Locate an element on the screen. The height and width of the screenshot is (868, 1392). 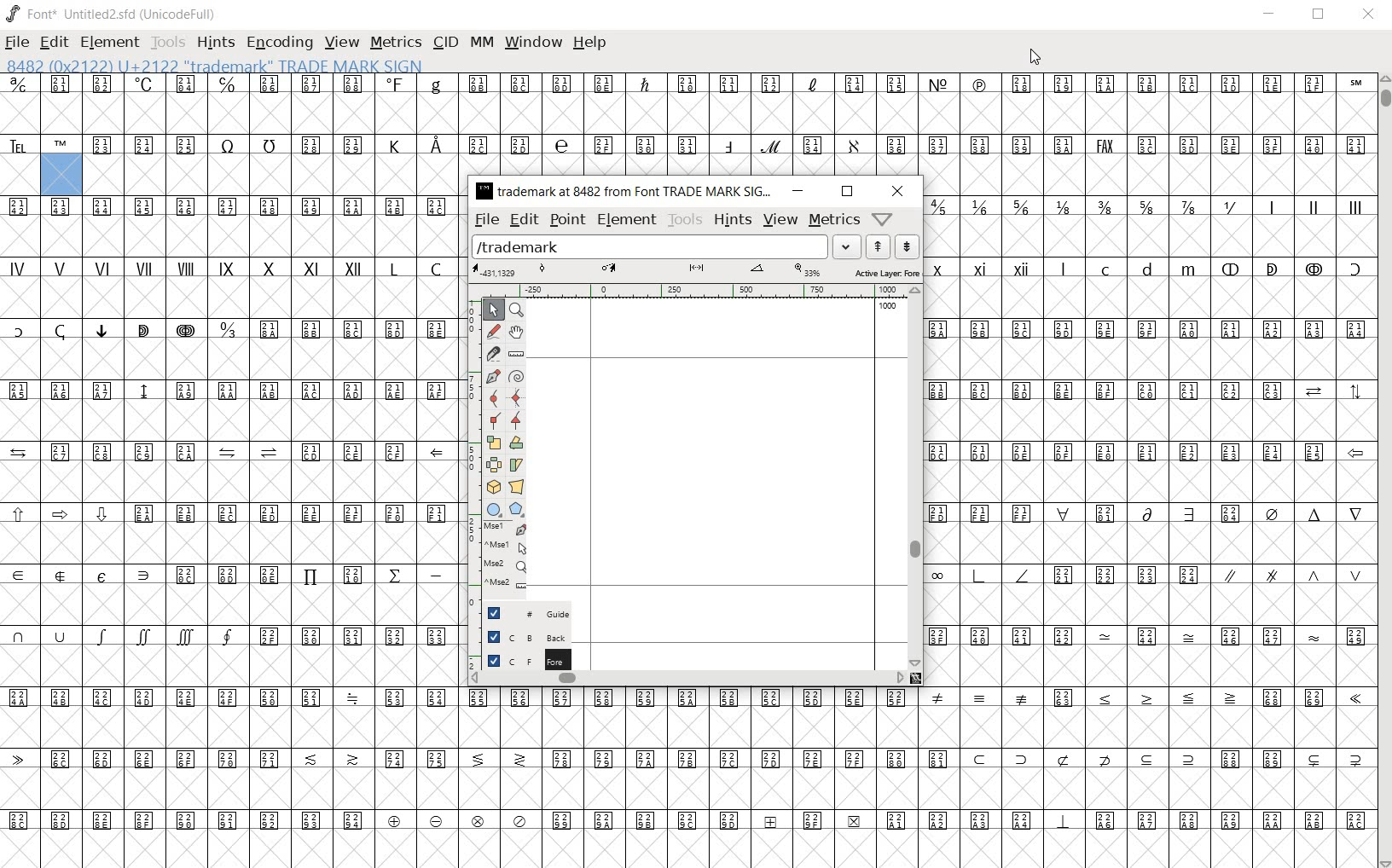
measure a distance, angle between points is located at coordinates (517, 356).